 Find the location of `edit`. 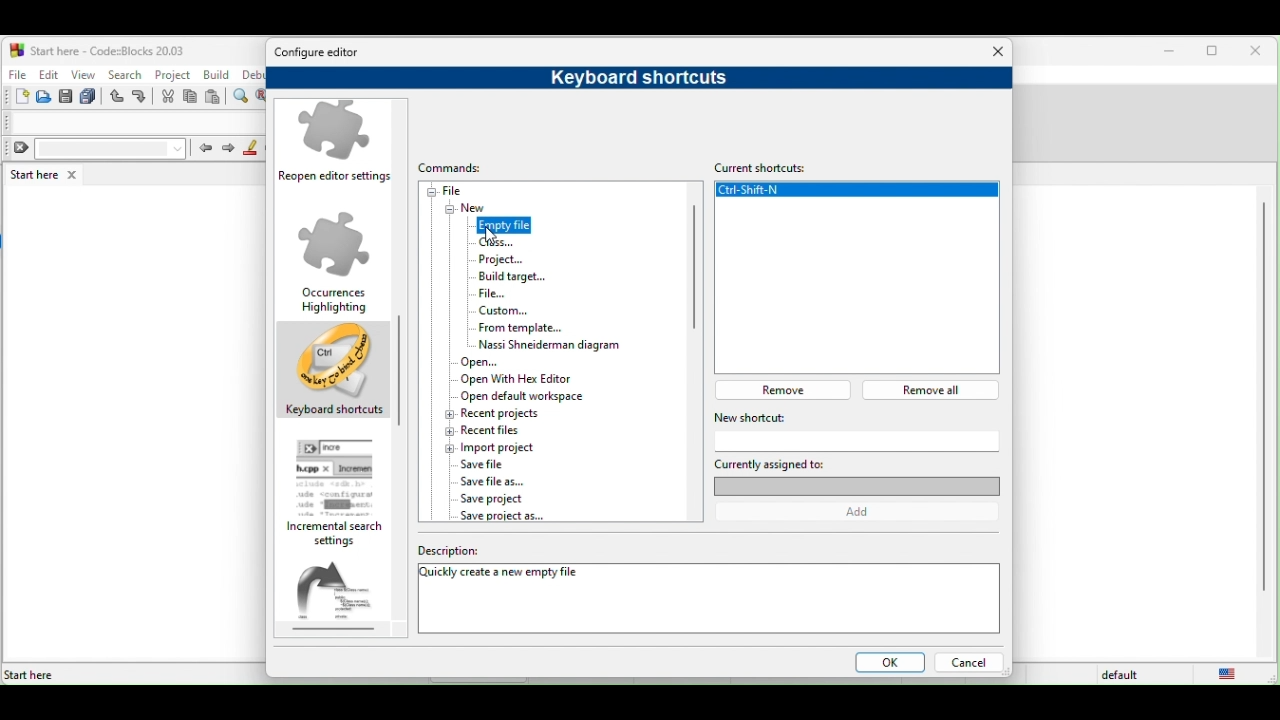

edit is located at coordinates (48, 74).